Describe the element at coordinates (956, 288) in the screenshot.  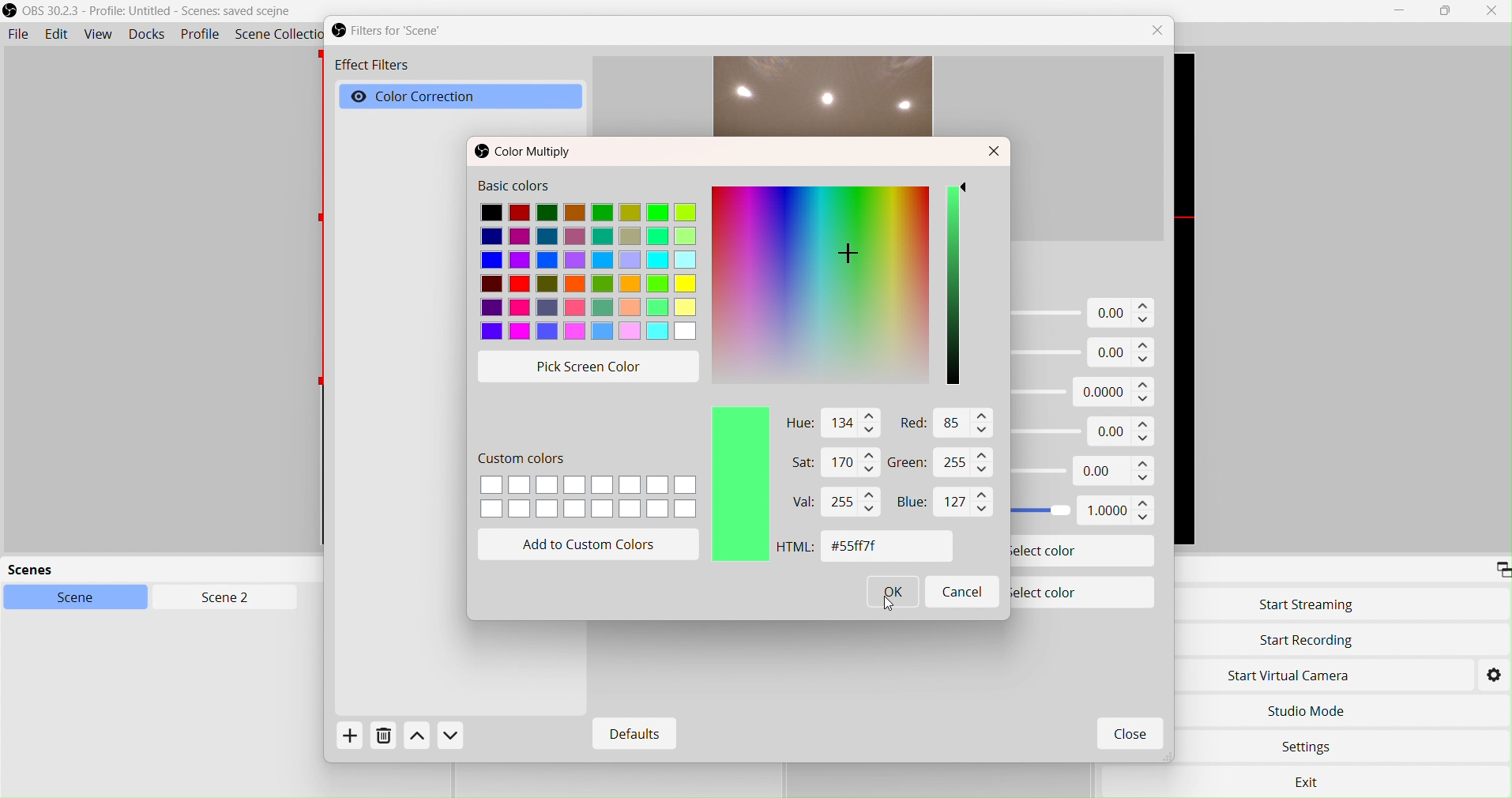
I see `color scale` at that location.